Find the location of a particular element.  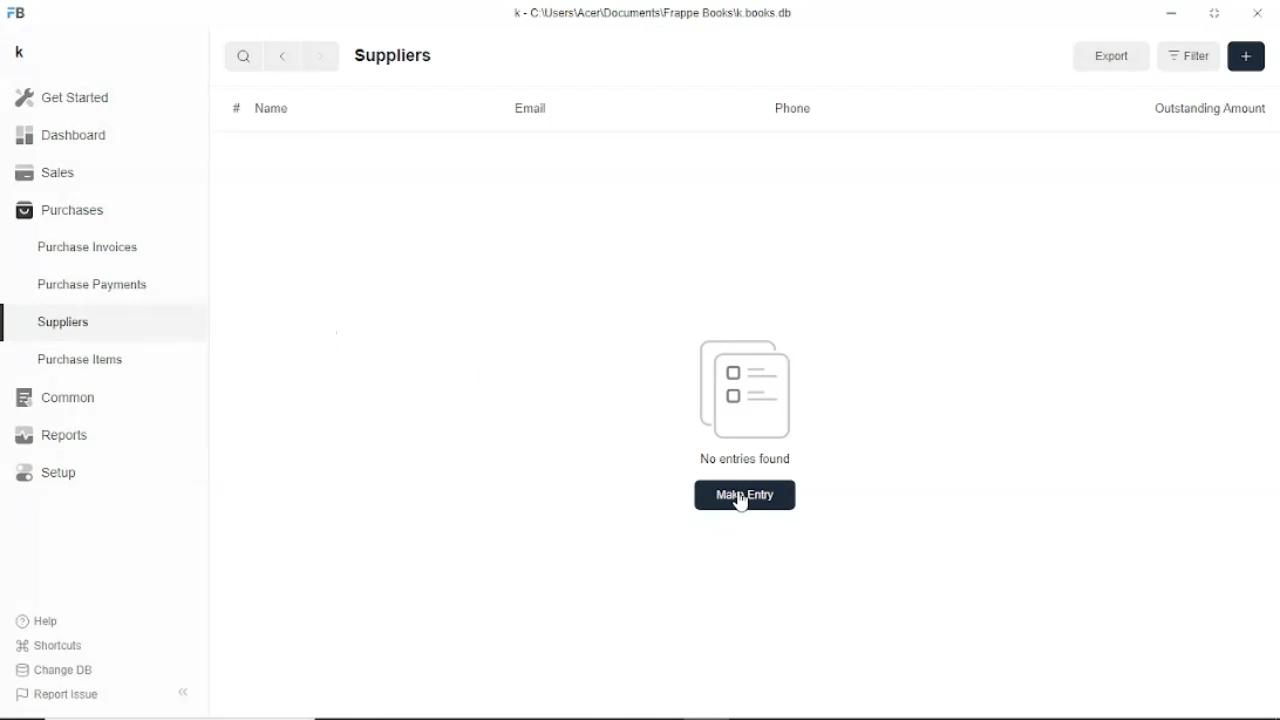

Minimize is located at coordinates (1171, 13).